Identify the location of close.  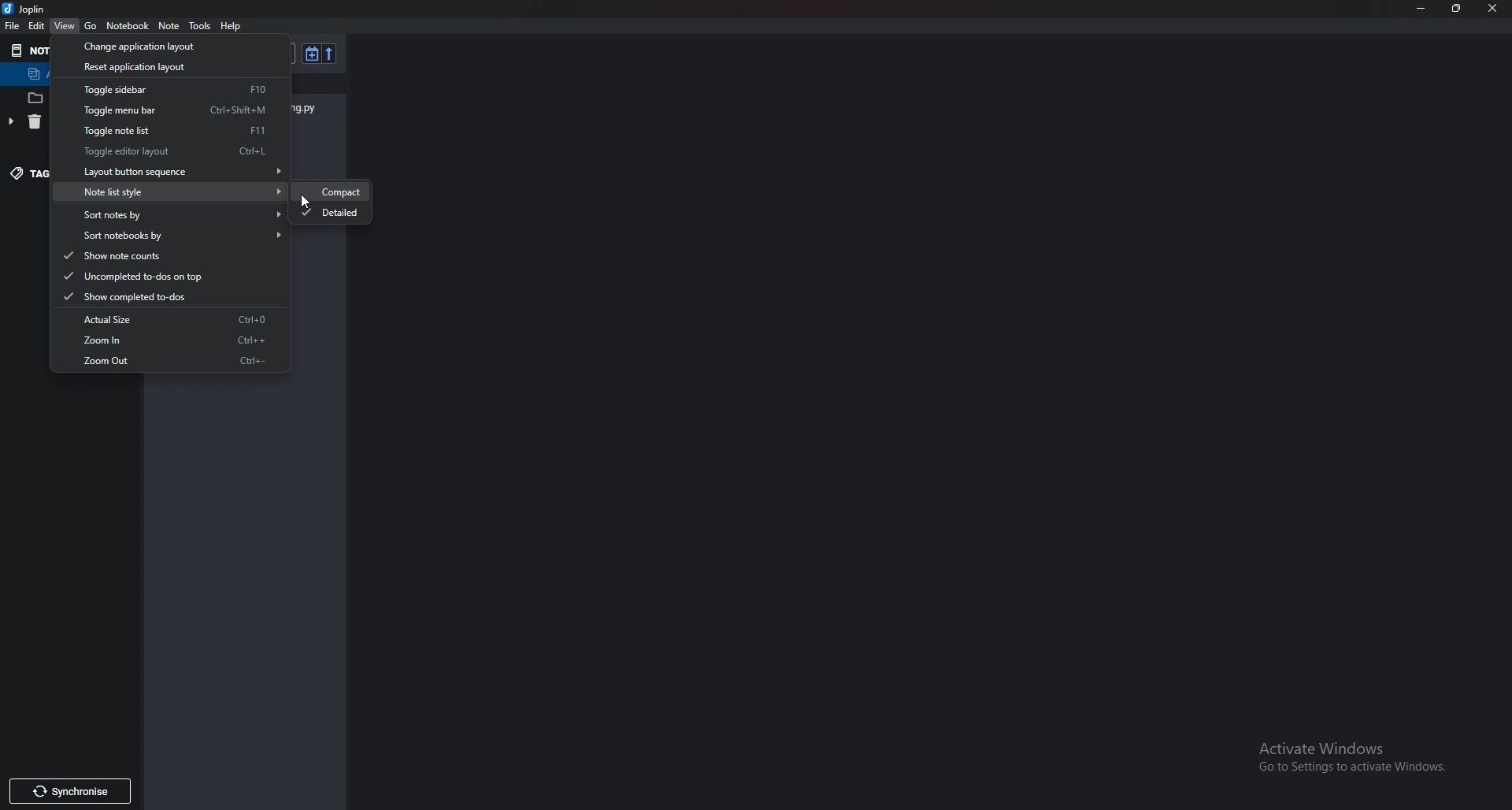
(1495, 8).